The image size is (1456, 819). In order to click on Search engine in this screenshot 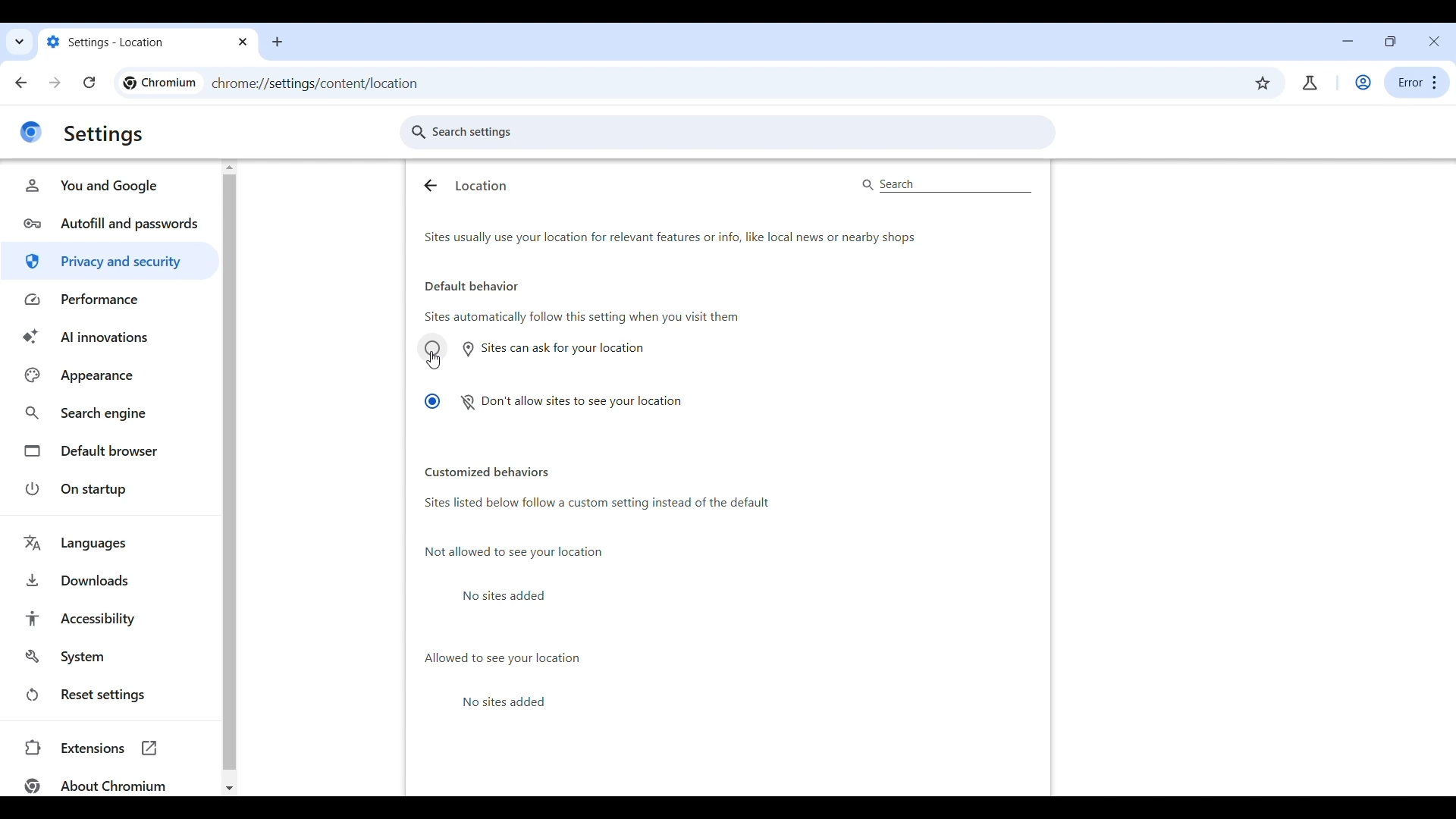, I will do `click(110, 412)`.